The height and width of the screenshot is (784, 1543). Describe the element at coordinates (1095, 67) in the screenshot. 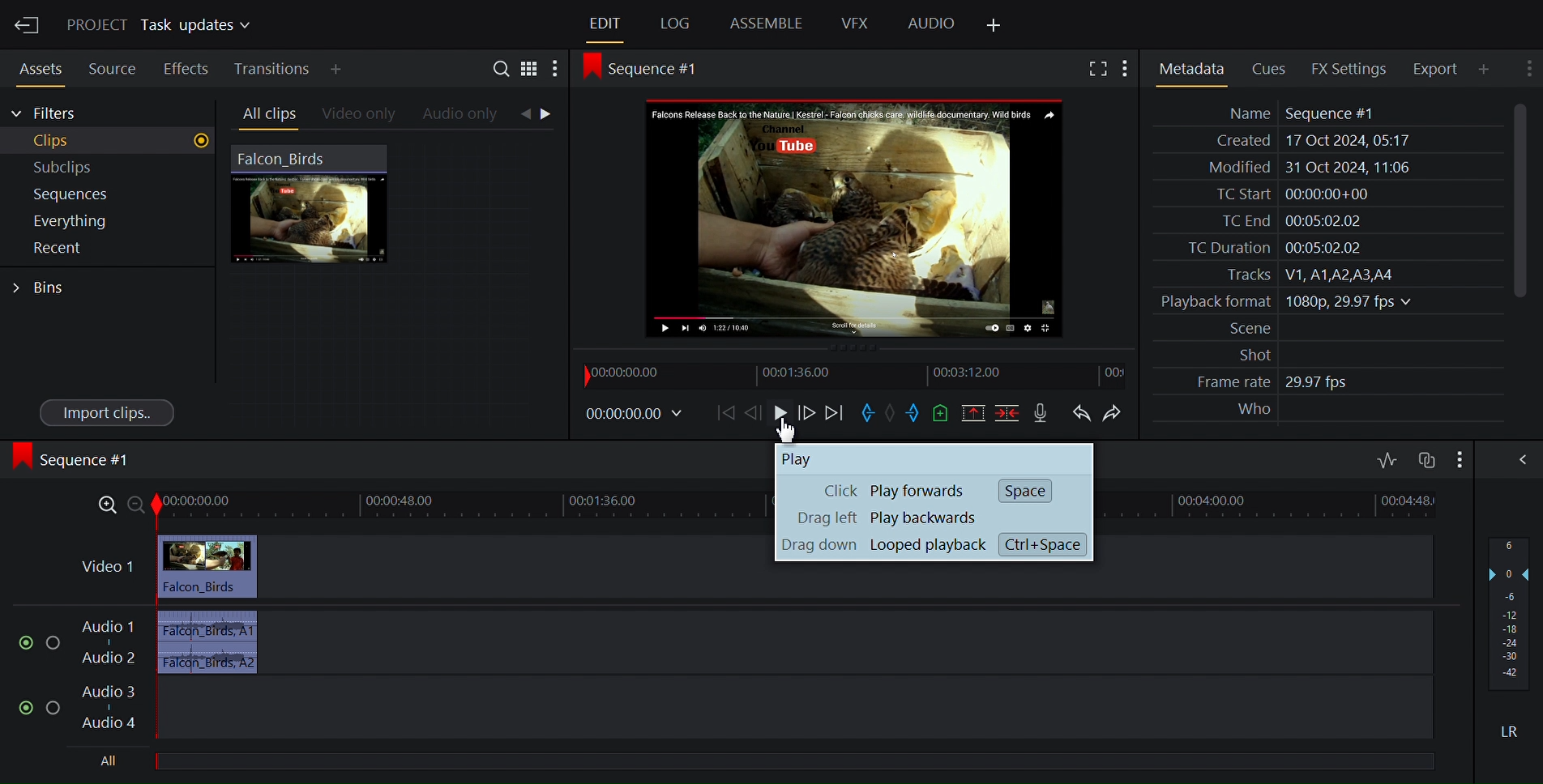

I see `Fullscreen` at that location.